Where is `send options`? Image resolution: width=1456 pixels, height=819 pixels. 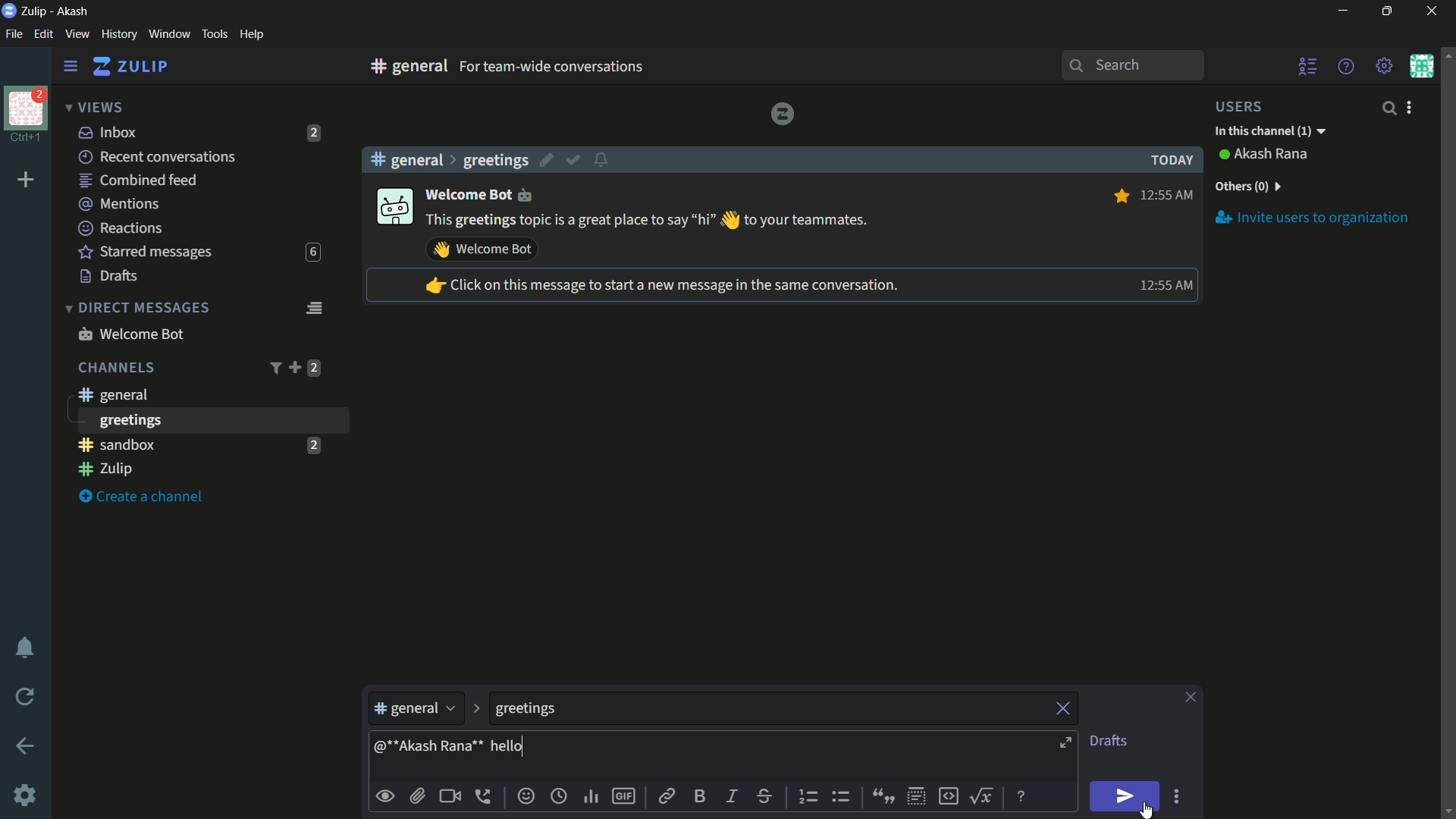 send options is located at coordinates (1176, 797).